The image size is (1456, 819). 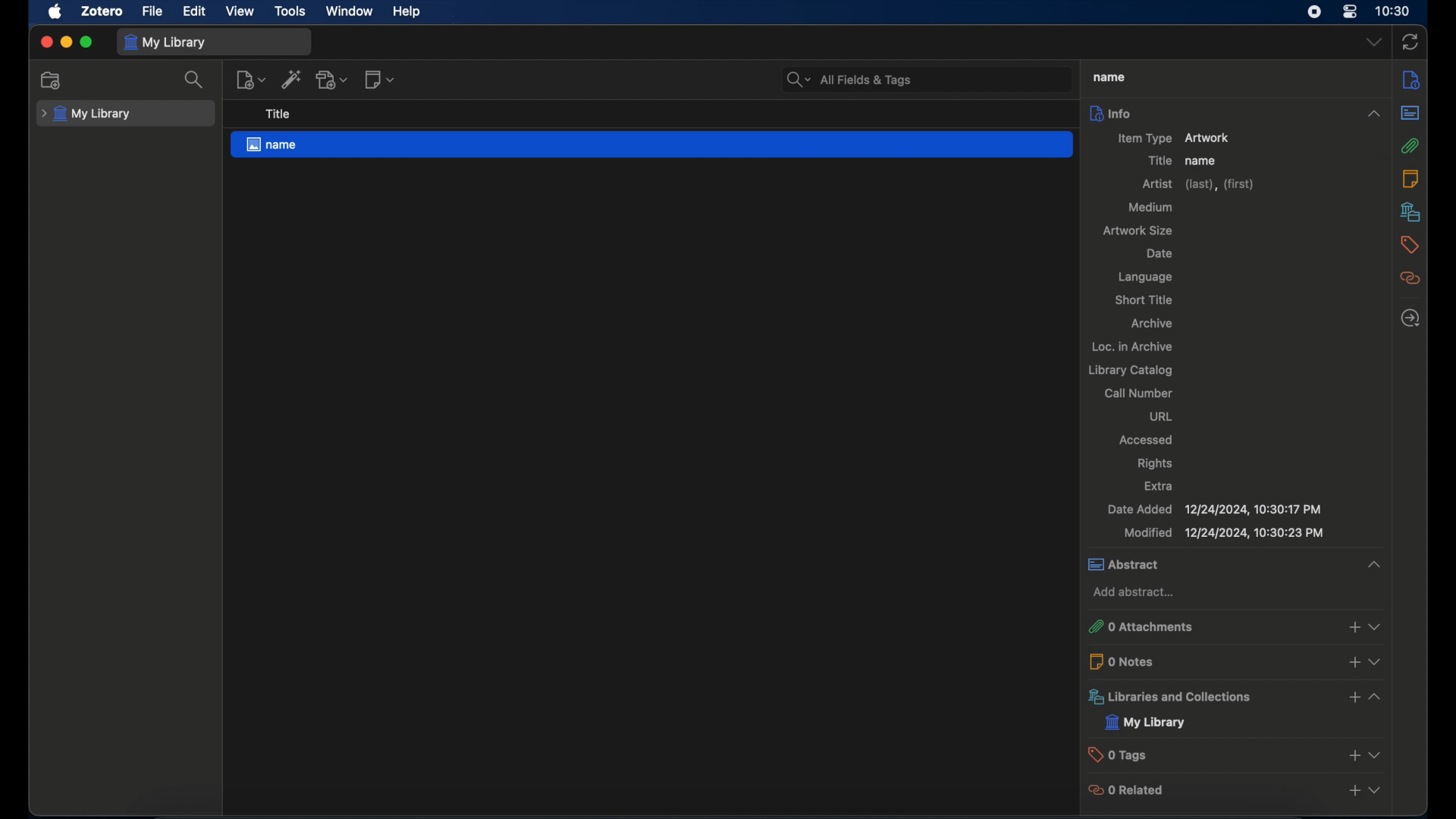 I want to click on date added, so click(x=1214, y=509).